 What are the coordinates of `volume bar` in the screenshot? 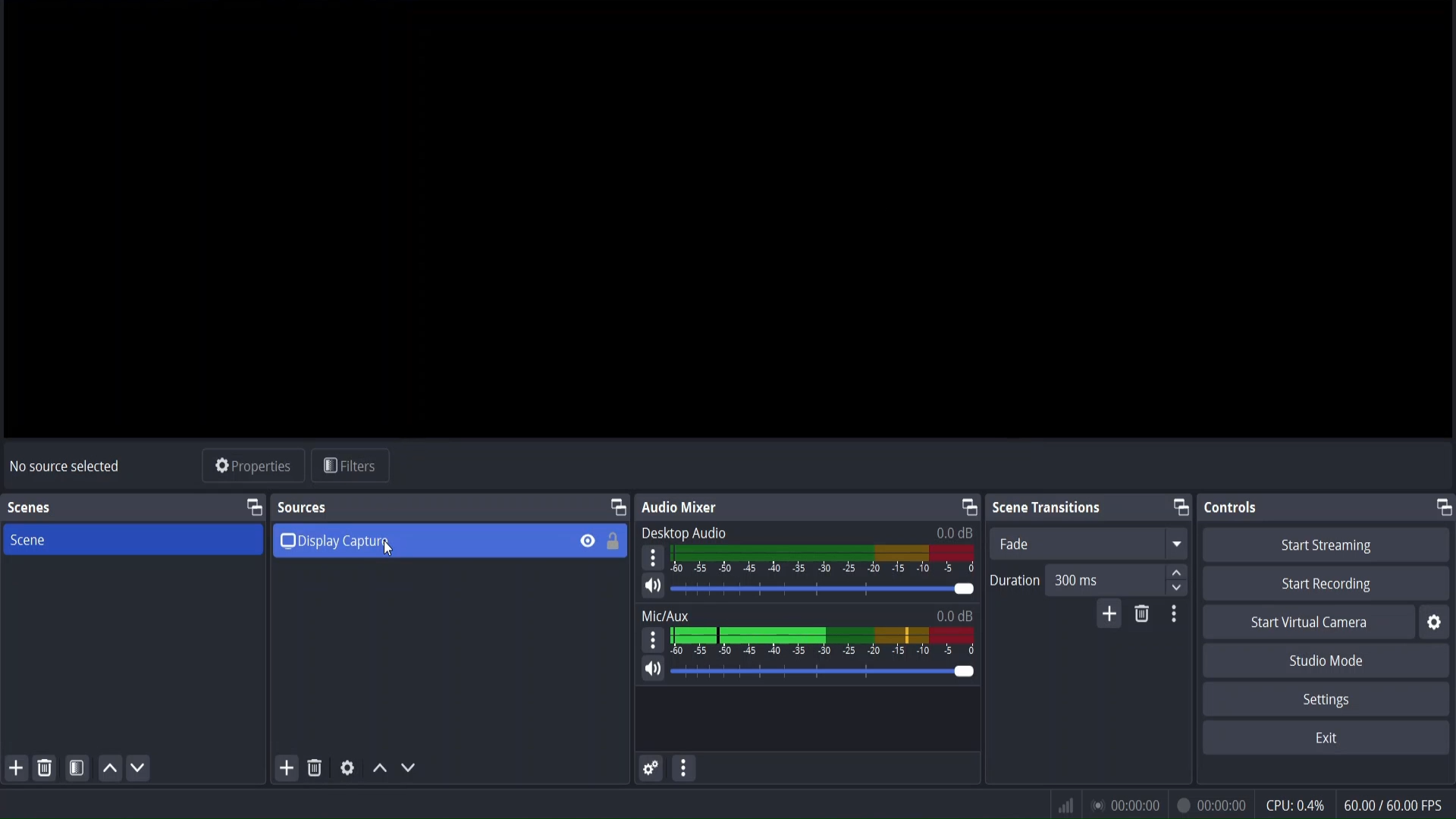 It's located at (825, 671).